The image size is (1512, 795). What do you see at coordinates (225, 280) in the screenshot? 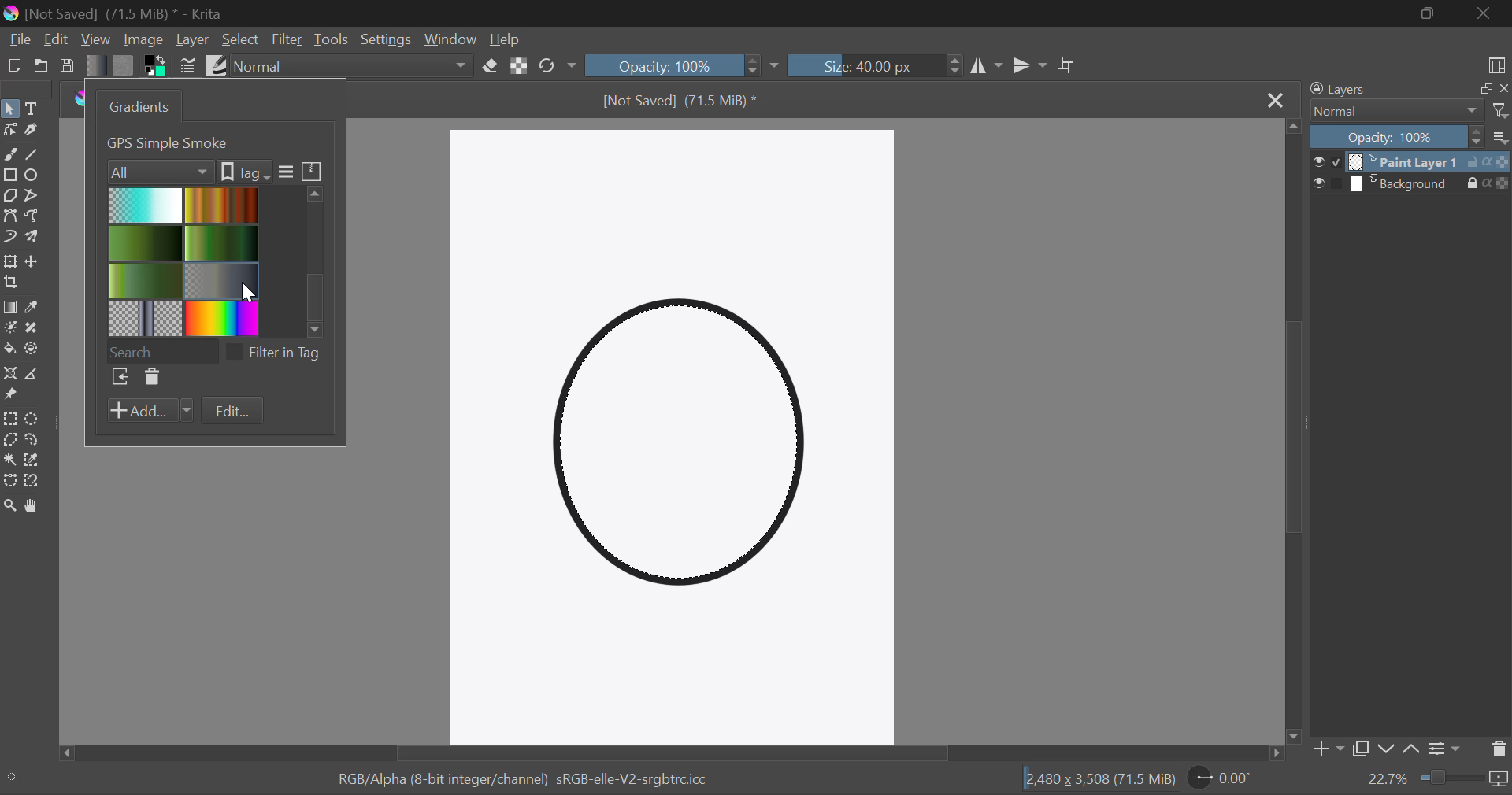
I see `Metallic Gradient` at bounding box center [225, 280].